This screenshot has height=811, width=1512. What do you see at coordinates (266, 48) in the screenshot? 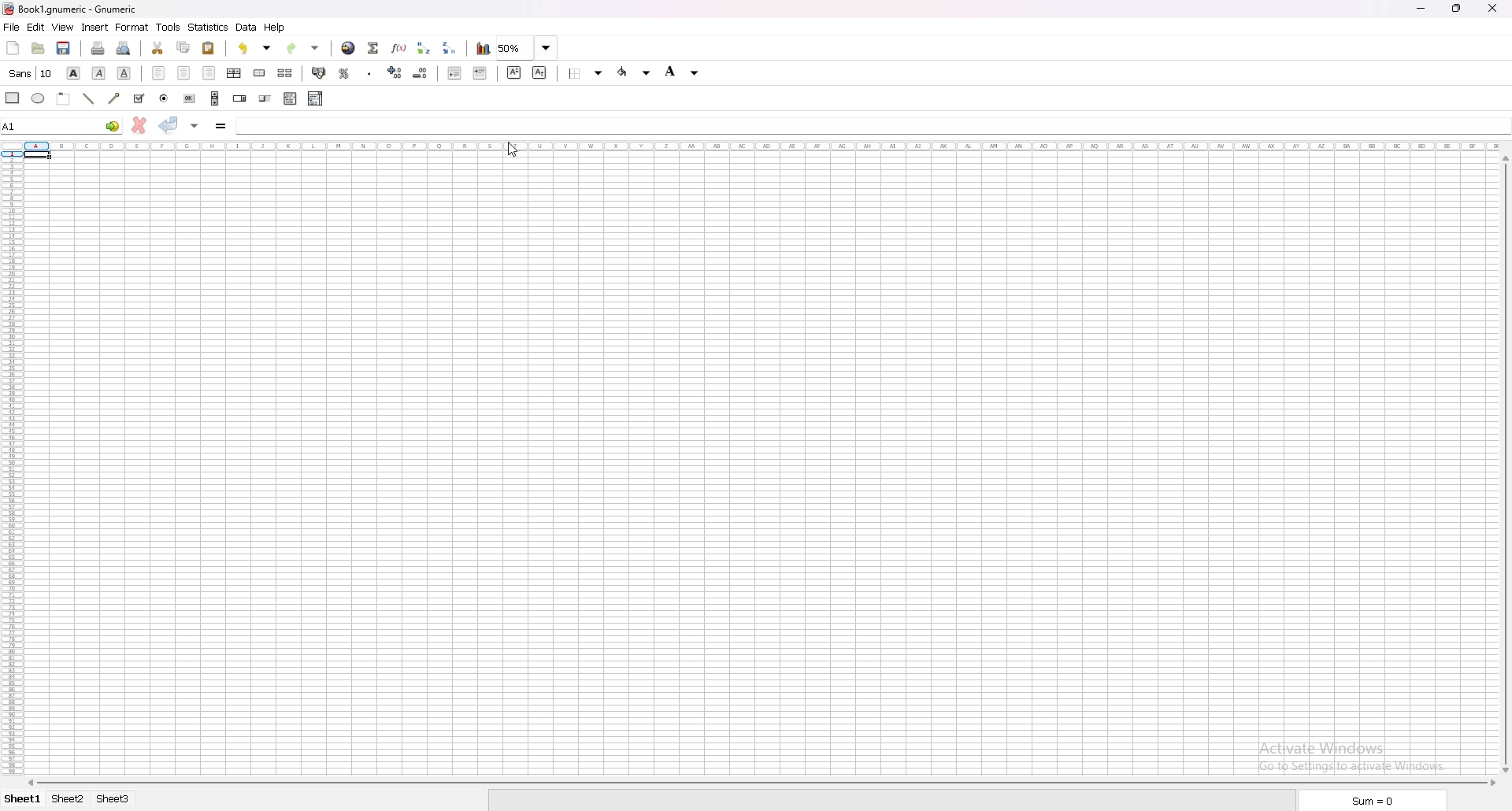
I see `Drop down` at bounding box center [266, 48].